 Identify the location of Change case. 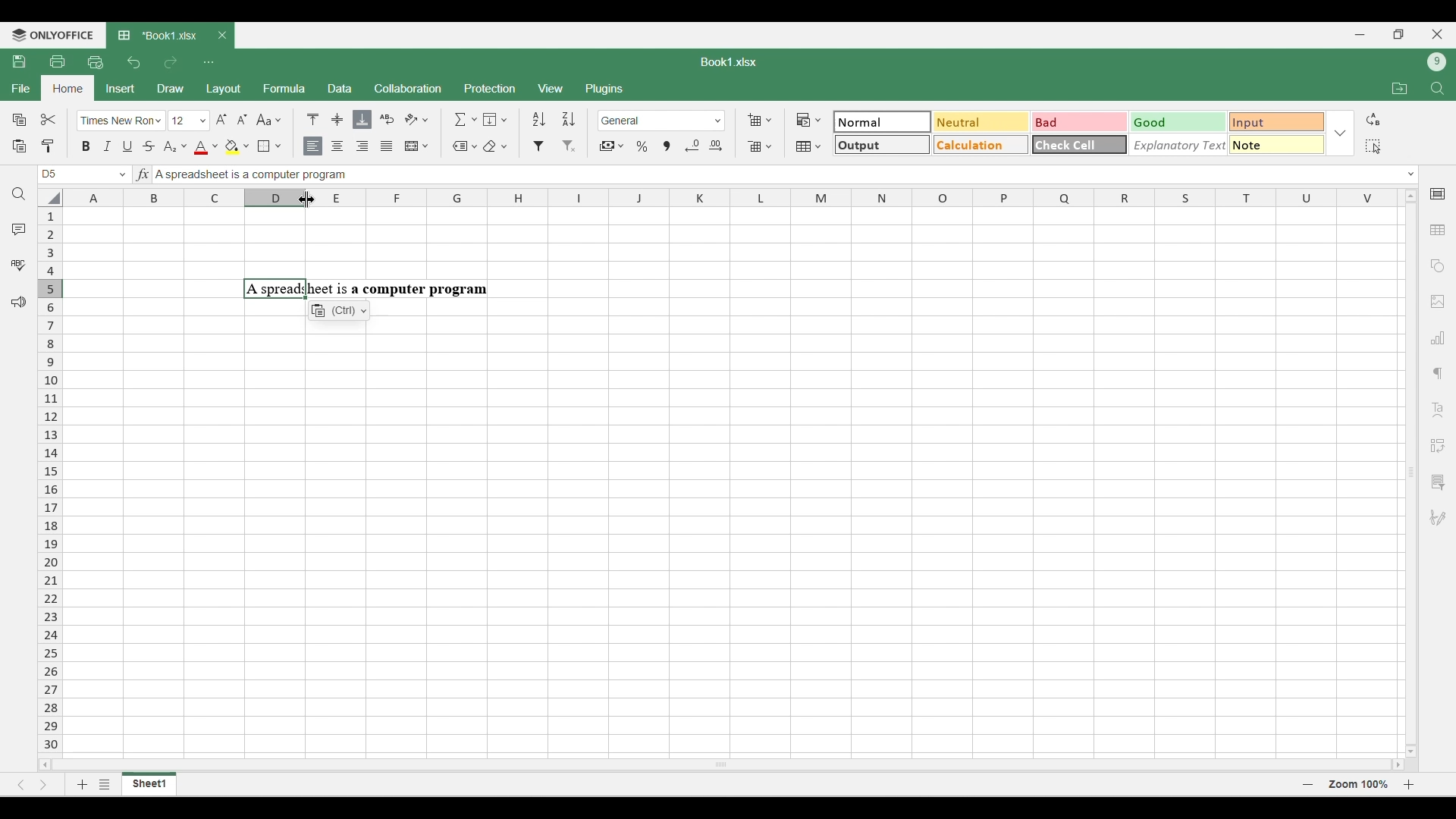
(268, 119).